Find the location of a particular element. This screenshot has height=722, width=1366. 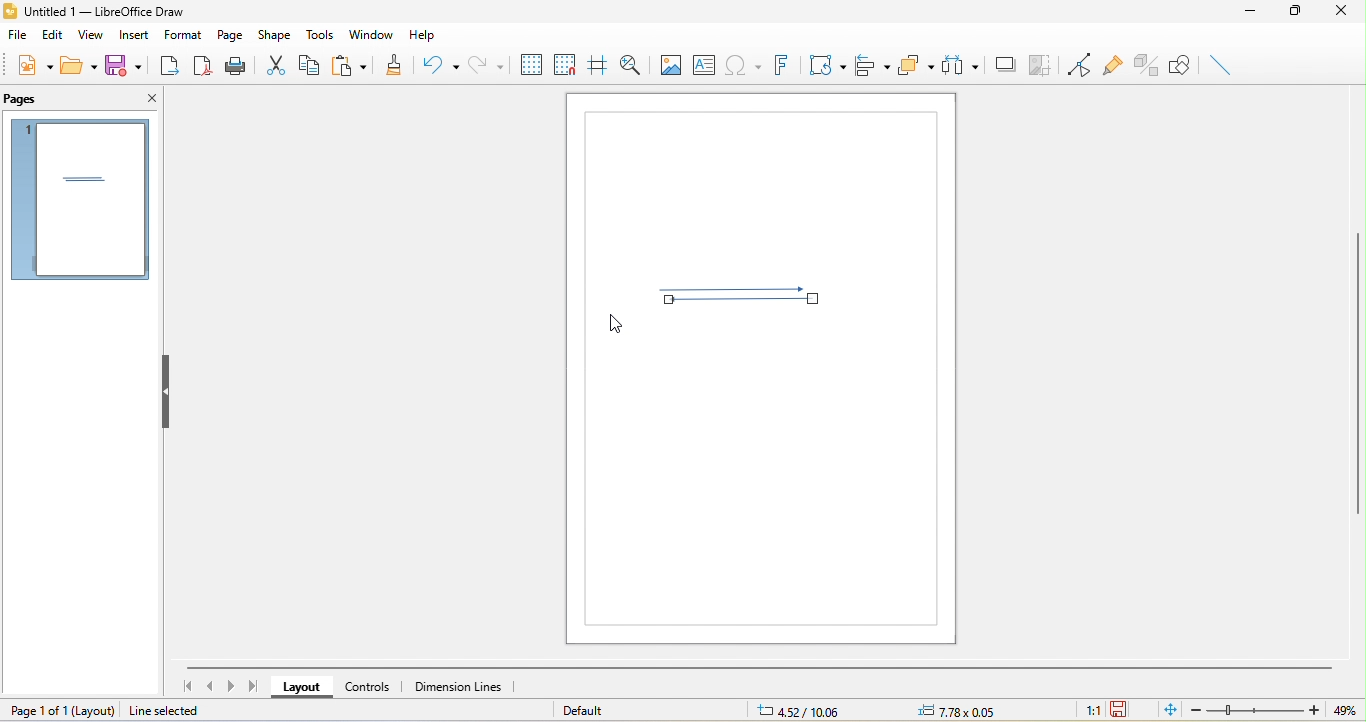

shadow is located at coordinates (1006, 65).